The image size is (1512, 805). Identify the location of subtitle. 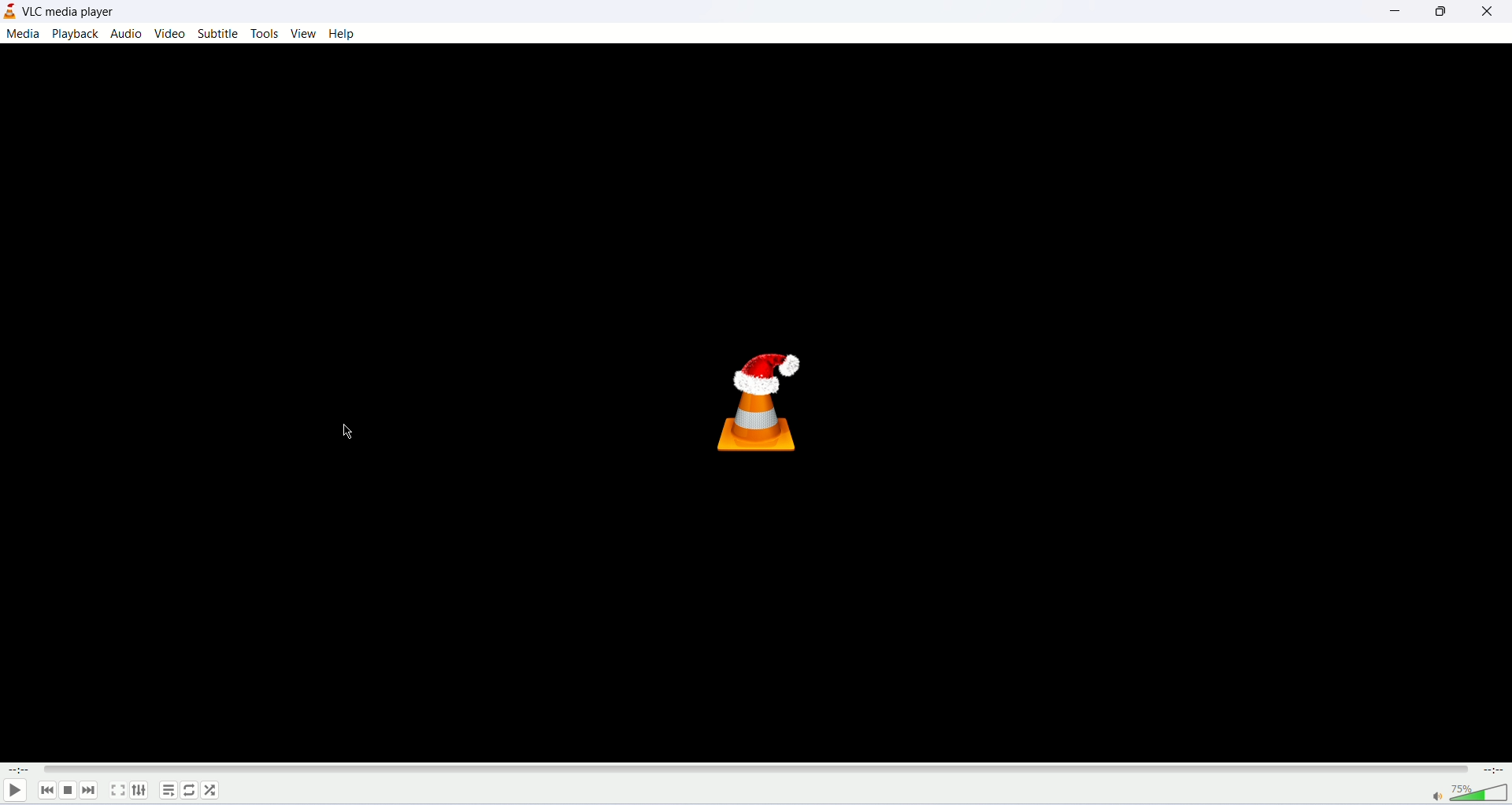
(217, 34).